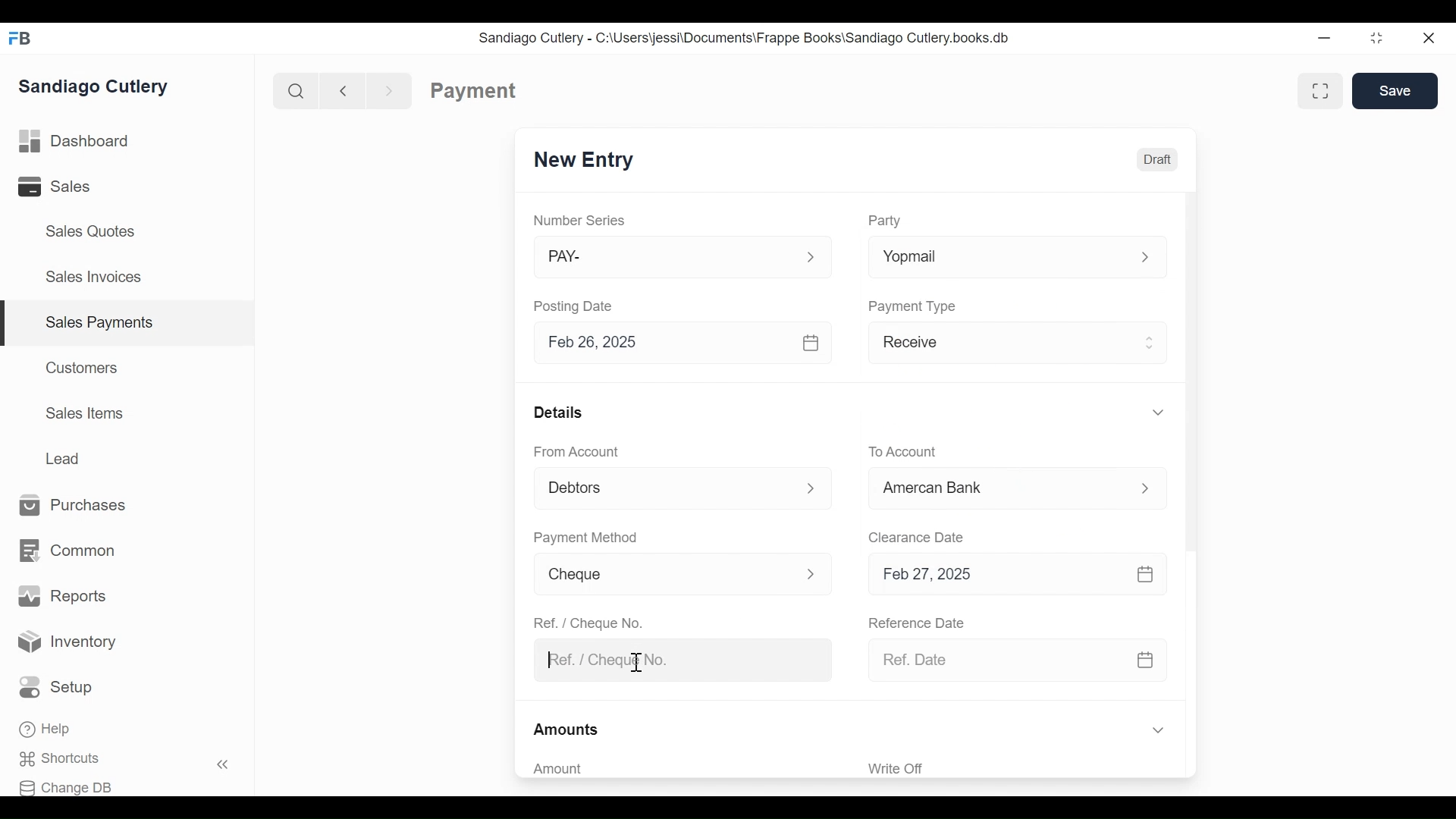 Image resolution: width=1456 pixels, height=819 pixels. I want to click on Save, so click(1395, 91).